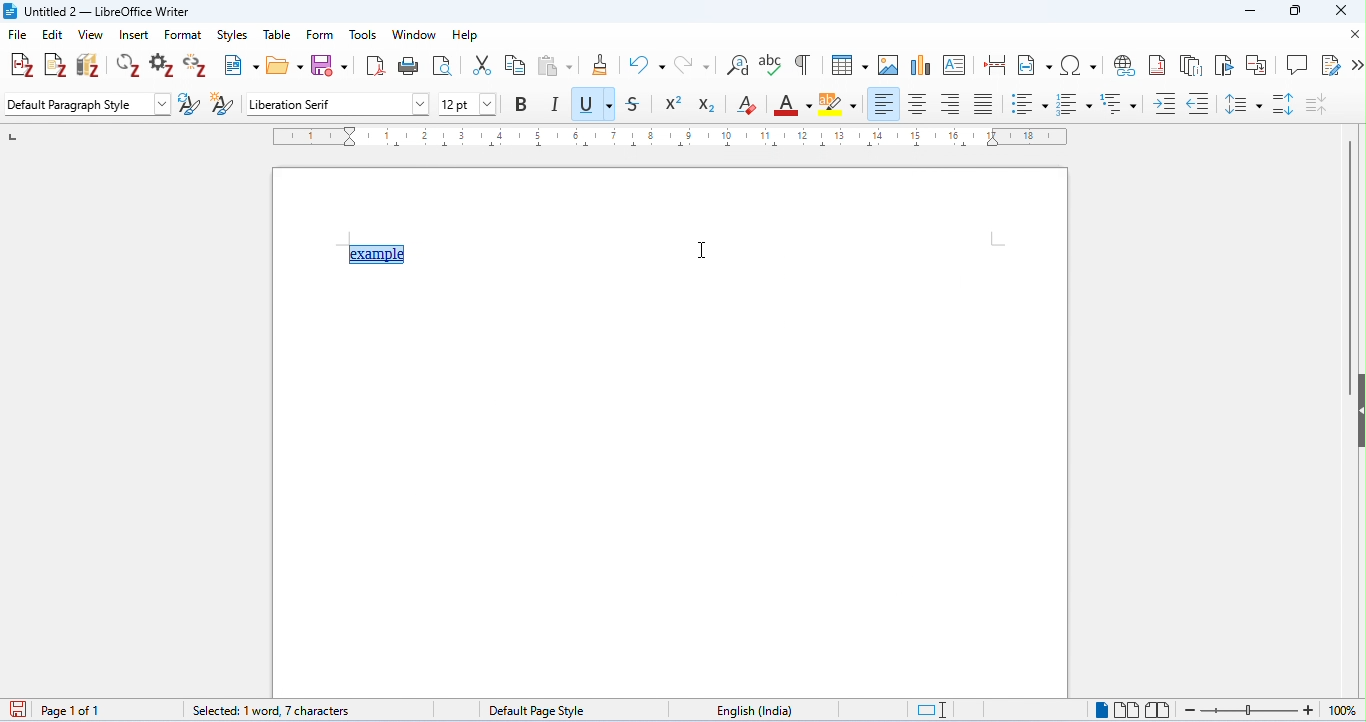  What do you see at coordinates (890, 64) in the screenshot?
I see `insert image` at bounding box center [890, 64].